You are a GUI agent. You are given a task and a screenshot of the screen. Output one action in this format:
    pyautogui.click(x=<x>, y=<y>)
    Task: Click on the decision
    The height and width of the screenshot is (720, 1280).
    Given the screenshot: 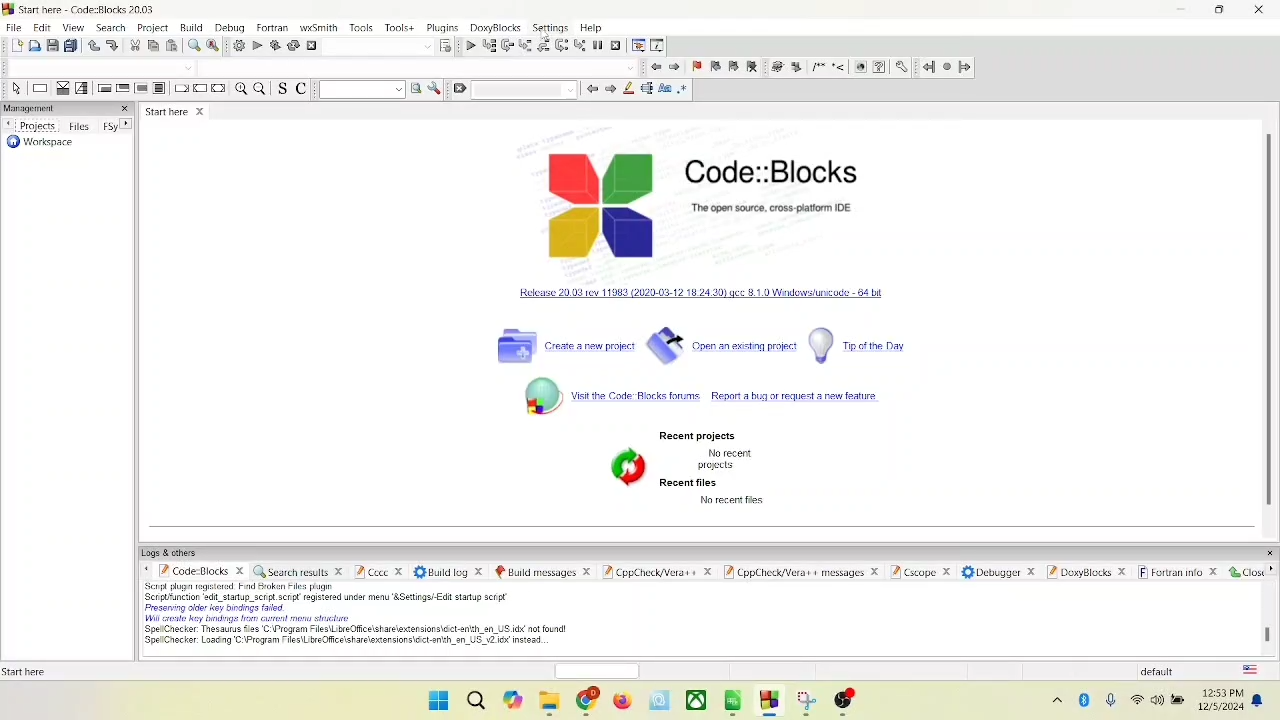 What is the action you would take?
    pyautogui.click(x=59, y=87)
    